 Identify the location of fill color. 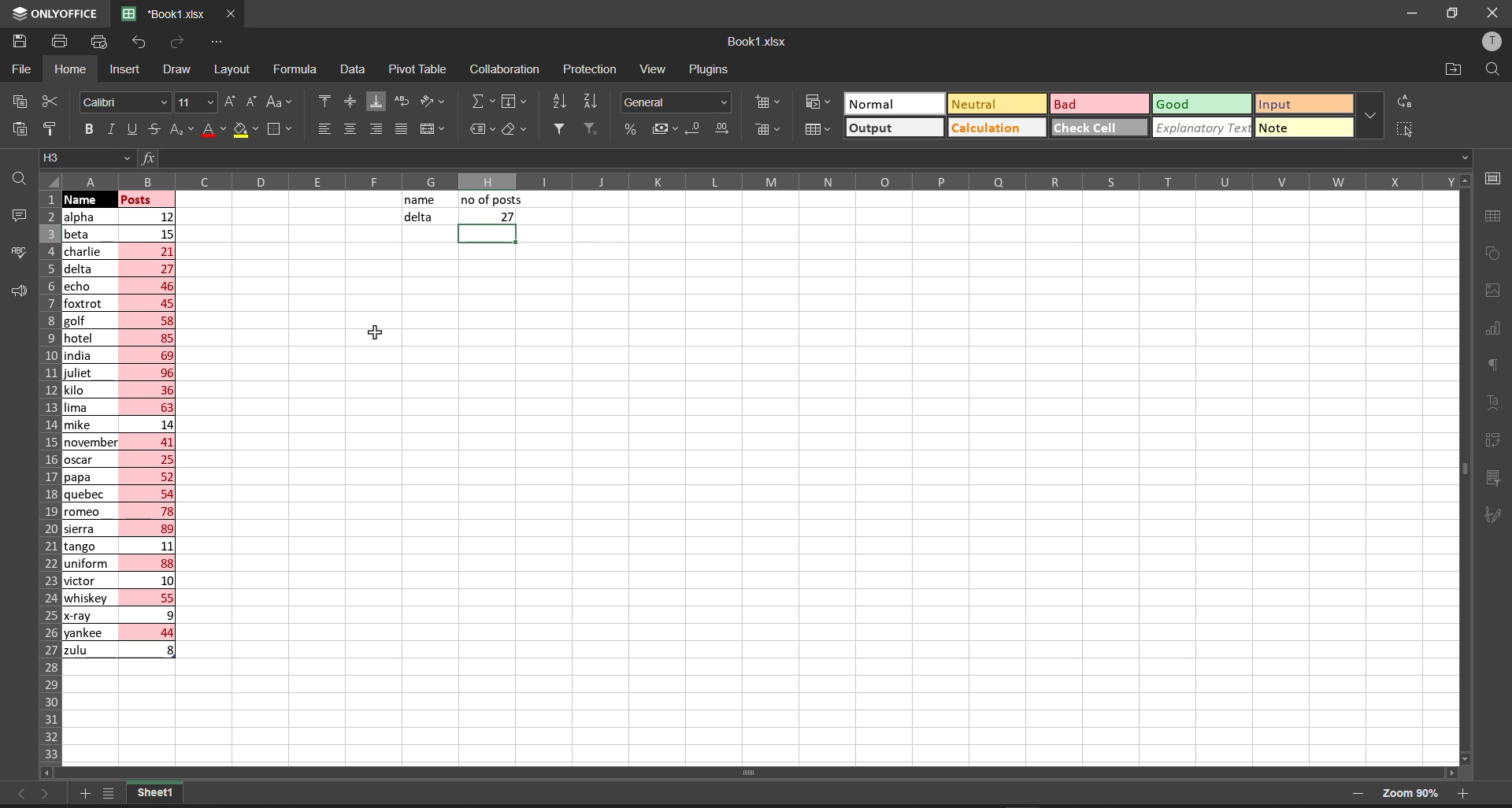
(247, 131).